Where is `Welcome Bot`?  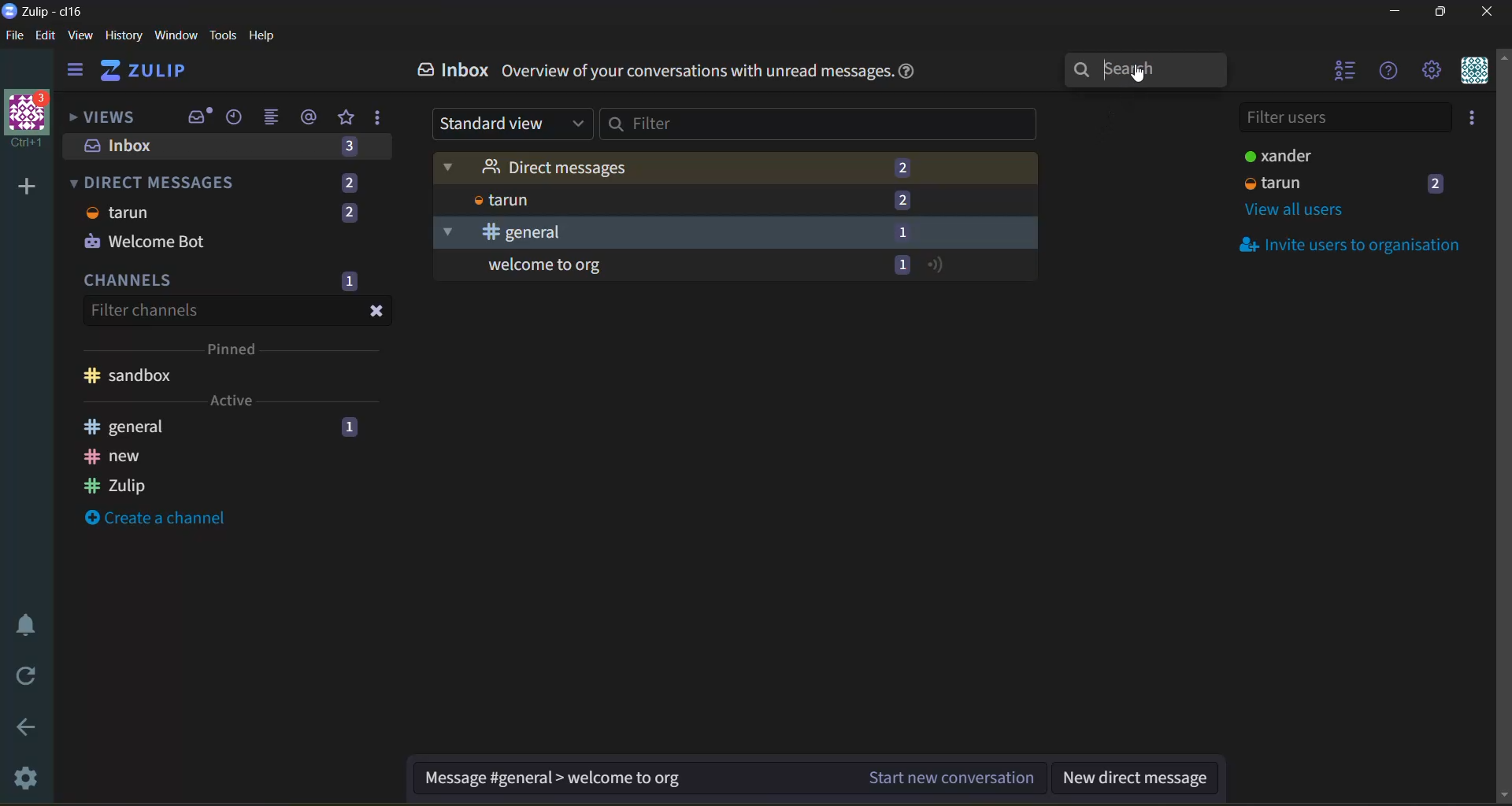
Welcome Bot is located at coordinates (144, 239).